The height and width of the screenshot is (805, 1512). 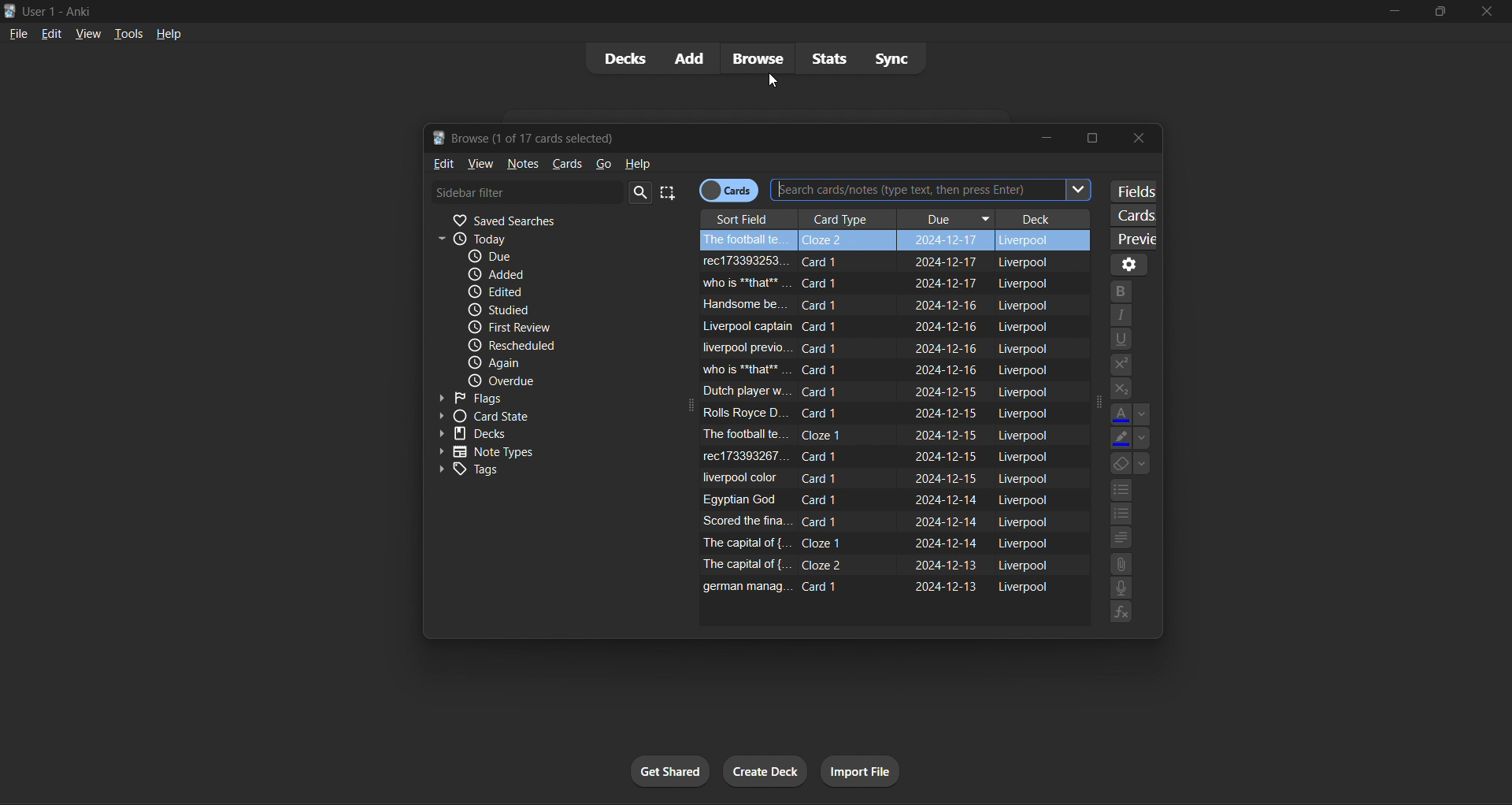 What do you see at coordinates (826, 328) in the screenshot?
I see `card 1` at bounding box center [826, 328].